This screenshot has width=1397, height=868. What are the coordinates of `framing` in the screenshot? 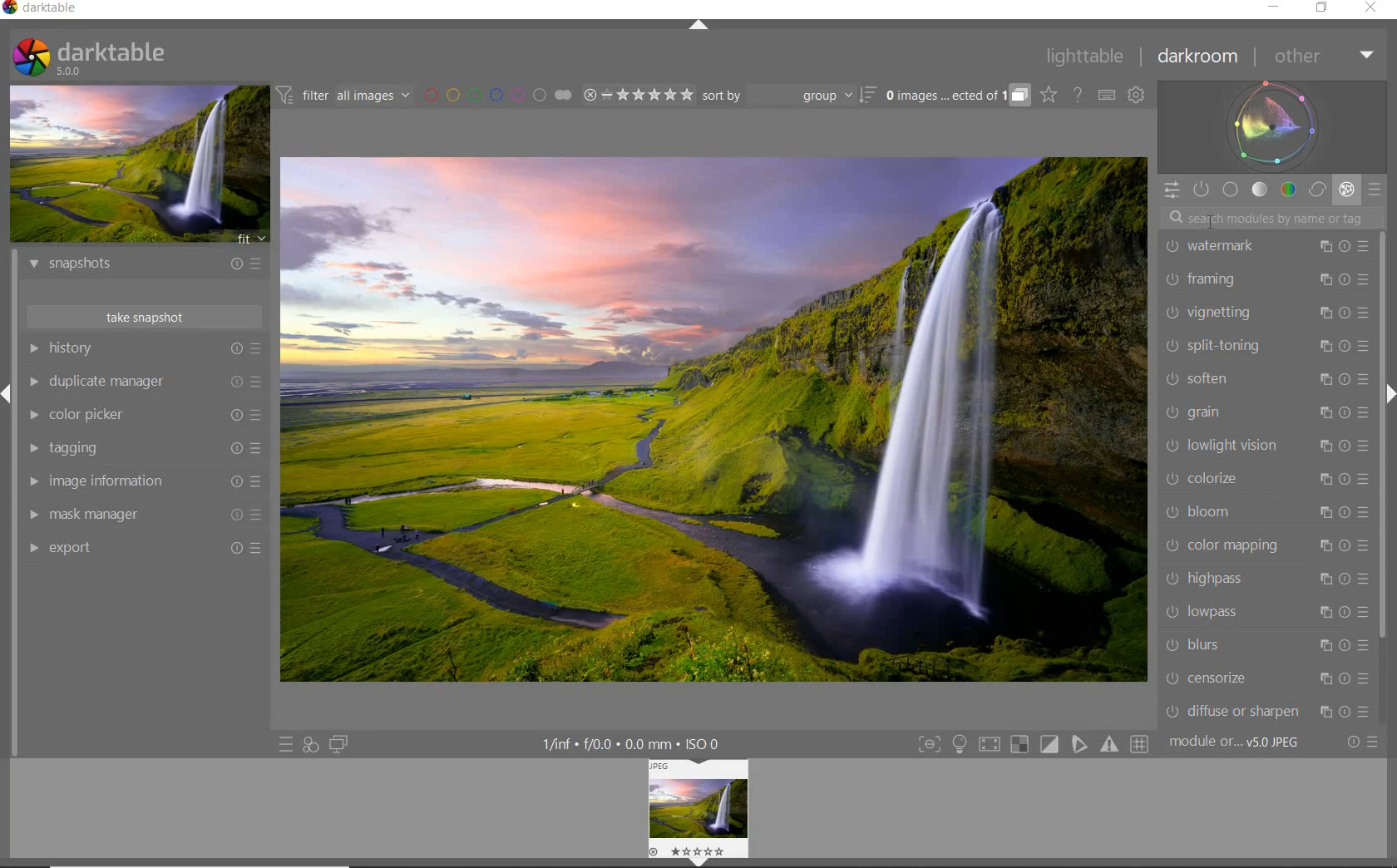 It's located at (1268, 281).